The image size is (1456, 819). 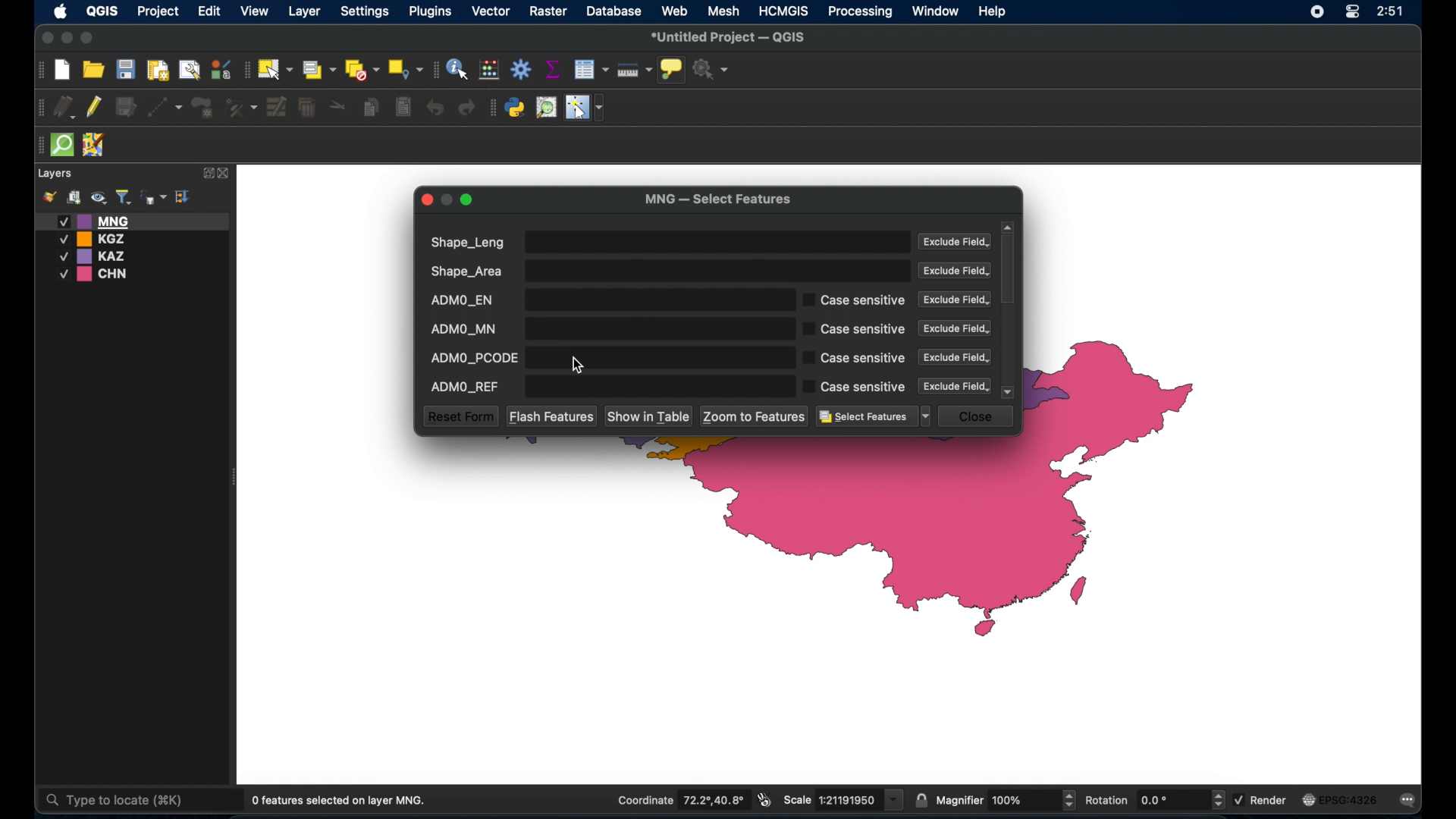 I want to click on scale 1:21191950, so click(x=844, y=800).